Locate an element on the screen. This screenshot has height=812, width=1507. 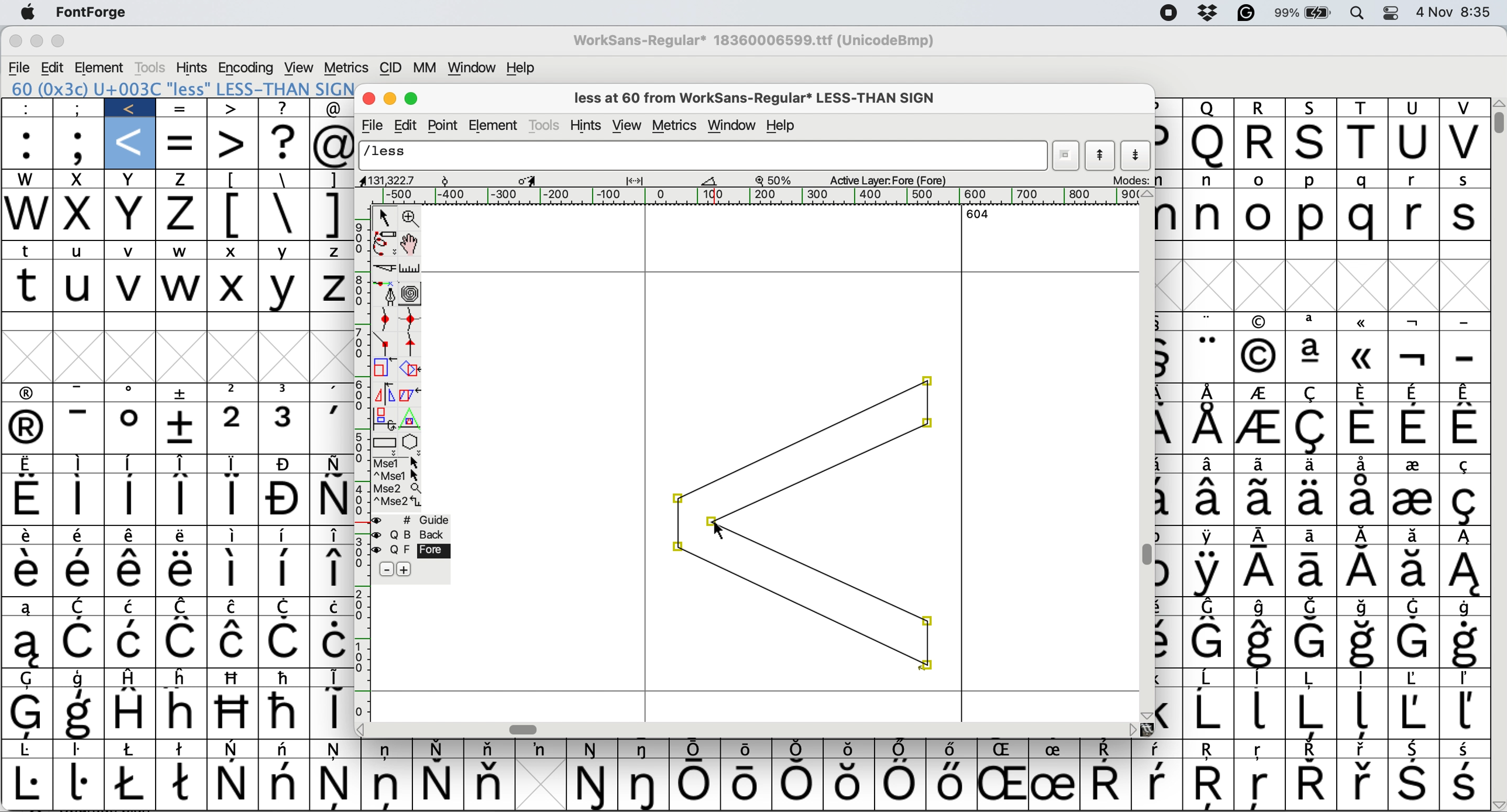
Symbol is located at coordinates (30, 750).